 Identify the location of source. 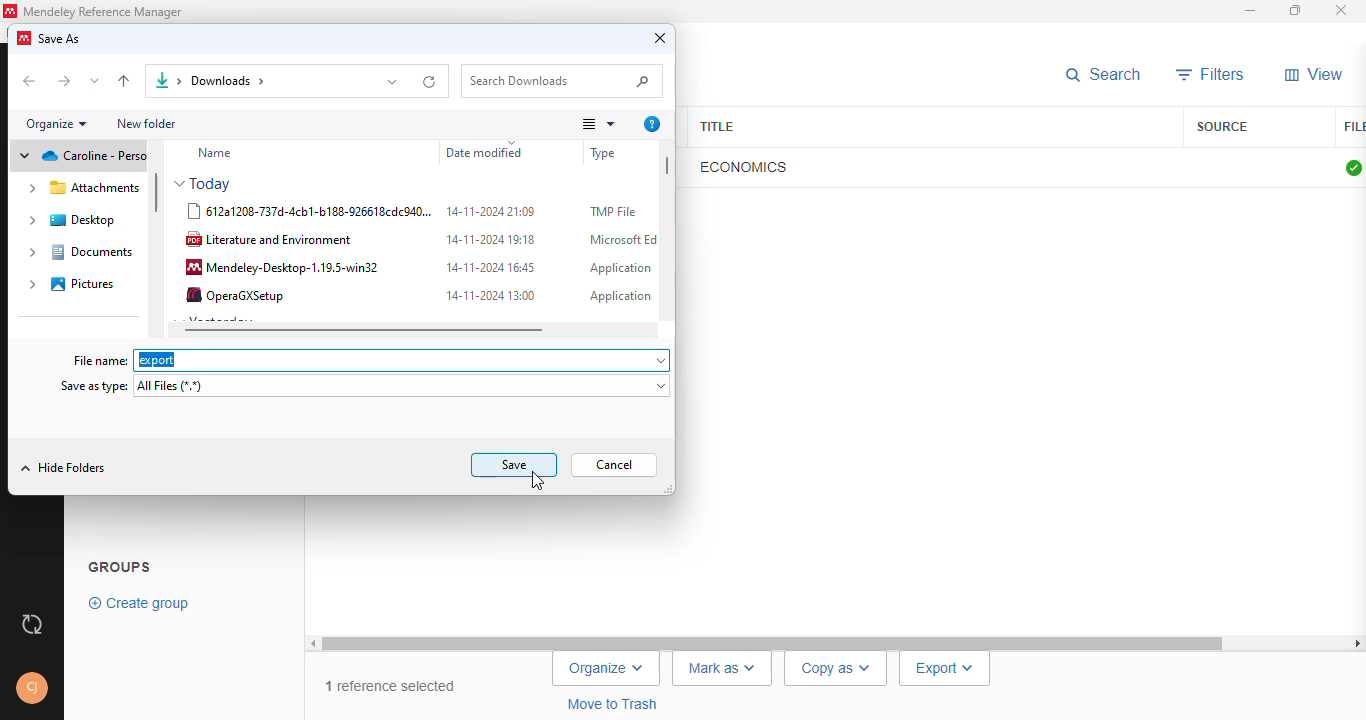
(1223, 127).